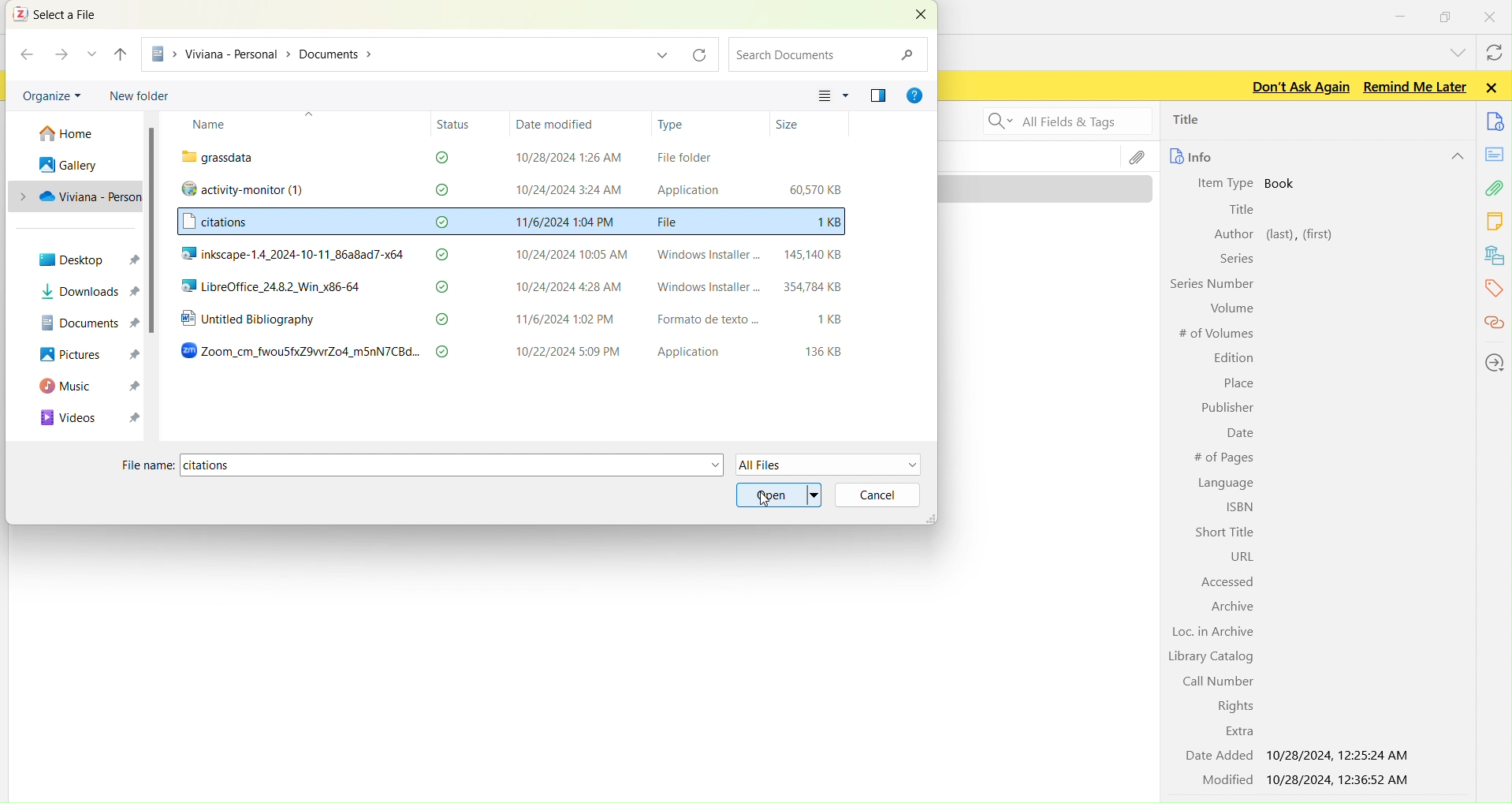 This screenshot has height=803, width=1512. Describe the element at coordinates (250, 320) in the screenshot. I see `Untitled Bibliography` at that location.